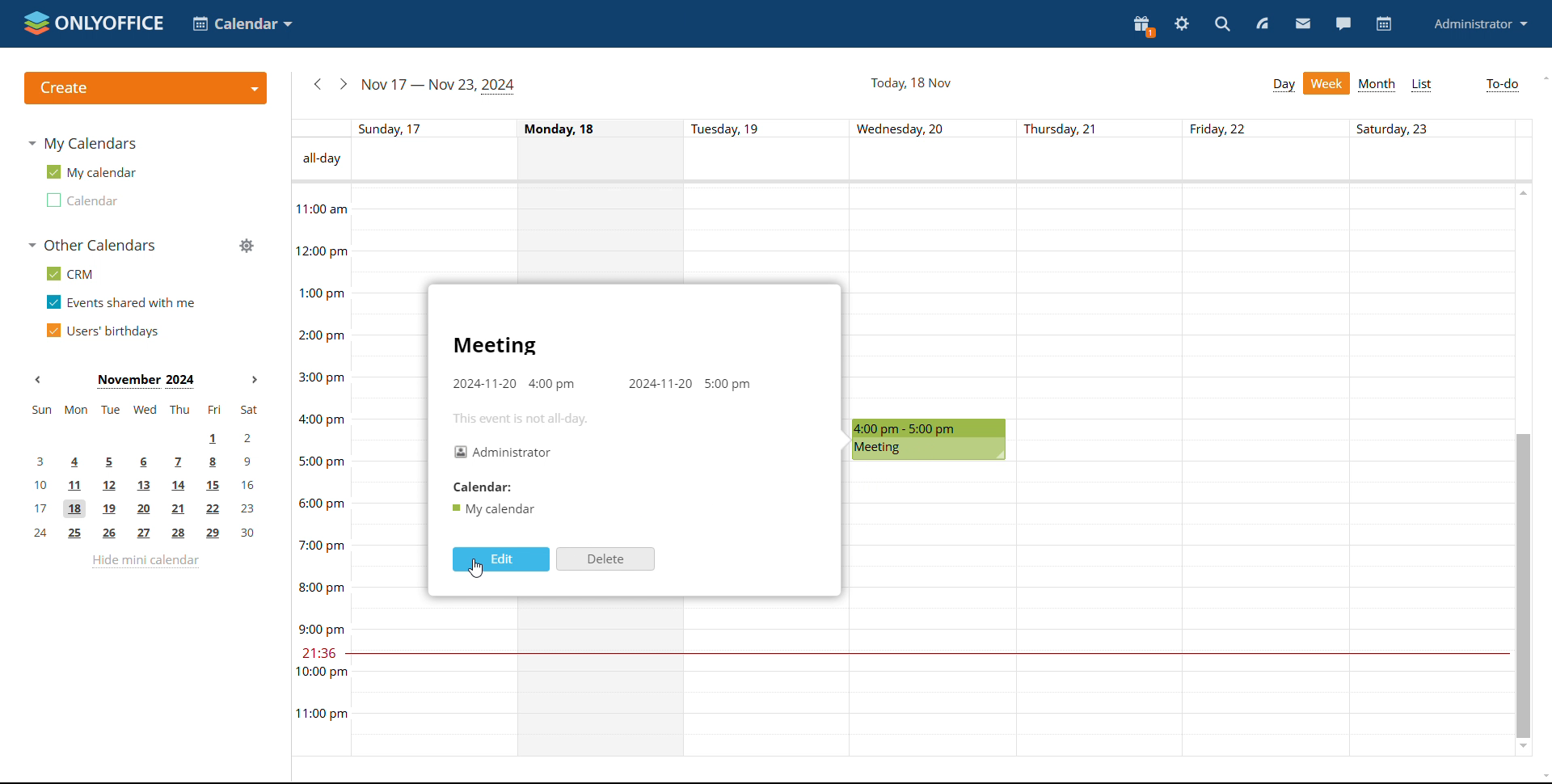 The height and width of the screenshot is (784, 1552). What do you see at coordinates (82, 143) in the screenshot?
I see `my calendars` at bounding box center [82, 143].